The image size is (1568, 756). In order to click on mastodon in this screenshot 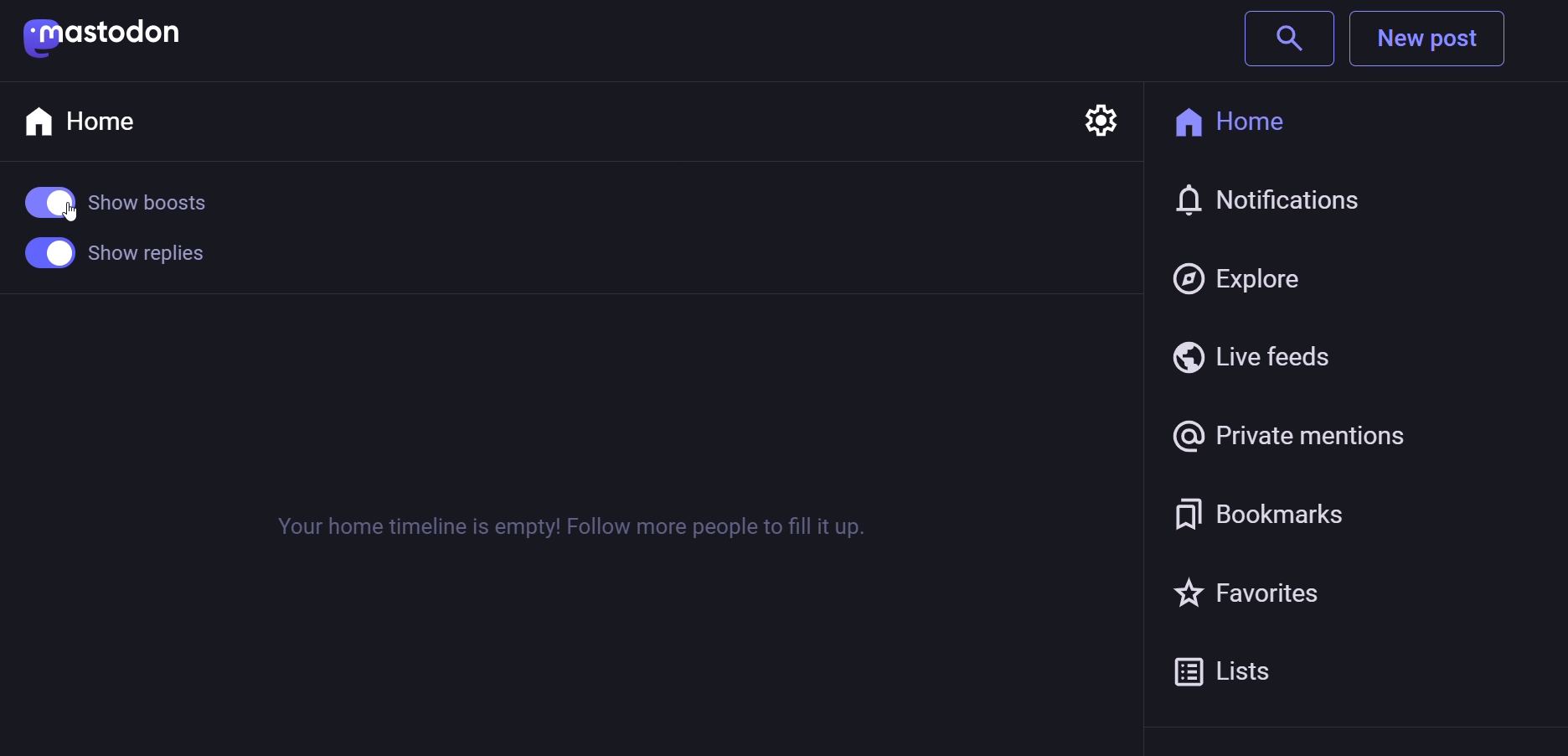, I will do `click(100, 39)`.